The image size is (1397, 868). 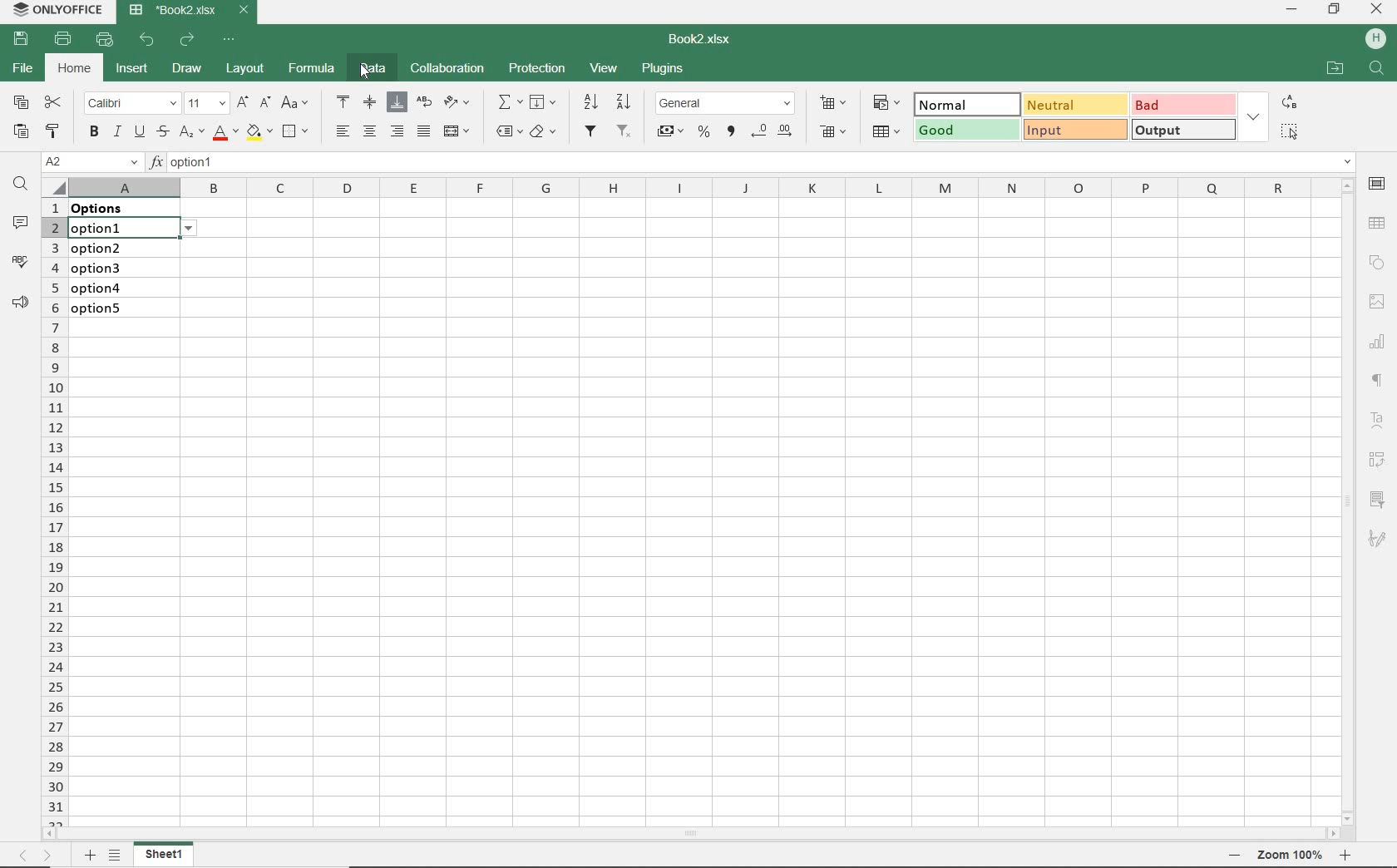 I want to click on PERCENT STYLE, so click(x=702, y=133).